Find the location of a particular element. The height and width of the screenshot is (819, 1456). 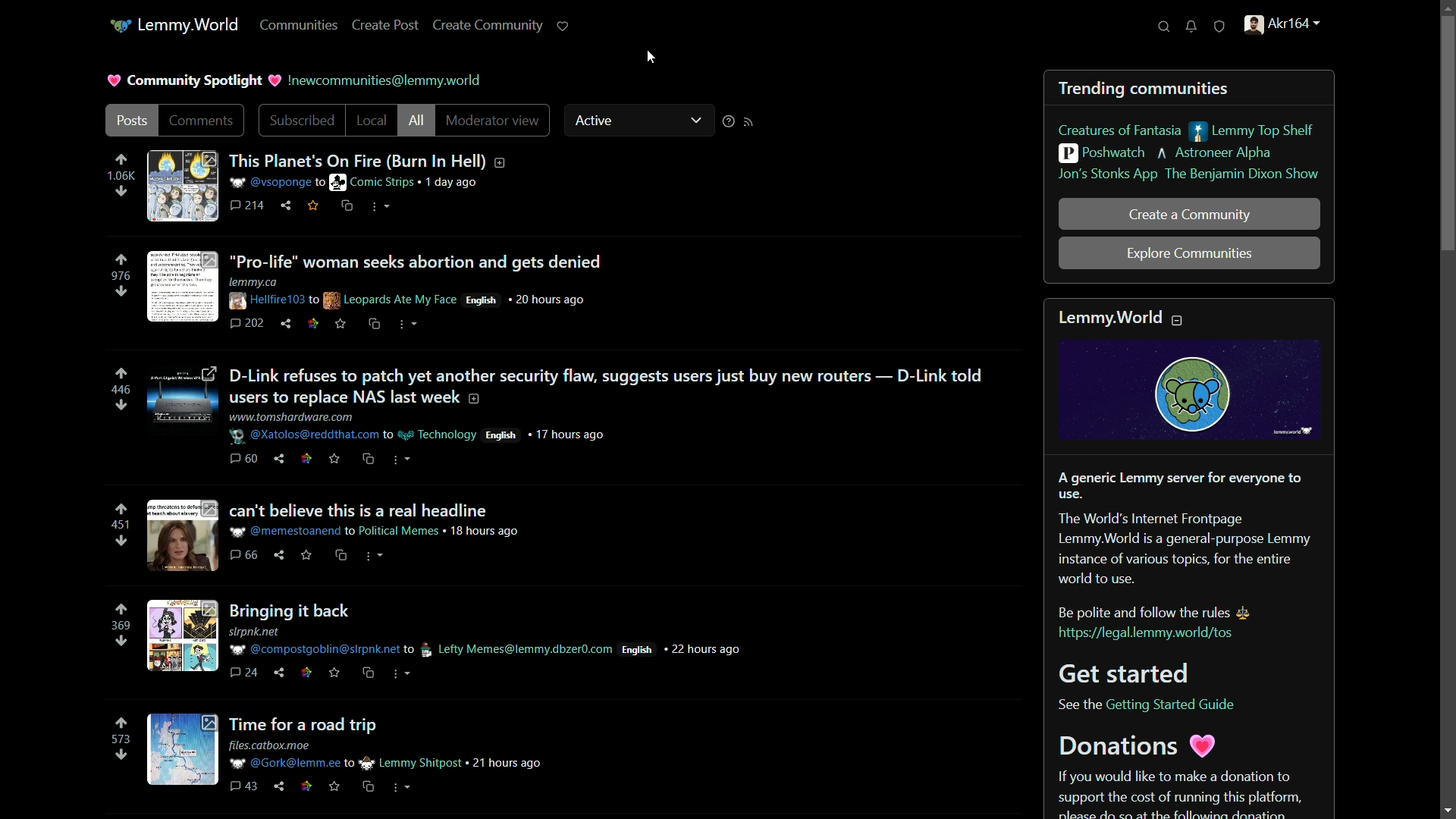

downvote is located at coordinates (120, 404).